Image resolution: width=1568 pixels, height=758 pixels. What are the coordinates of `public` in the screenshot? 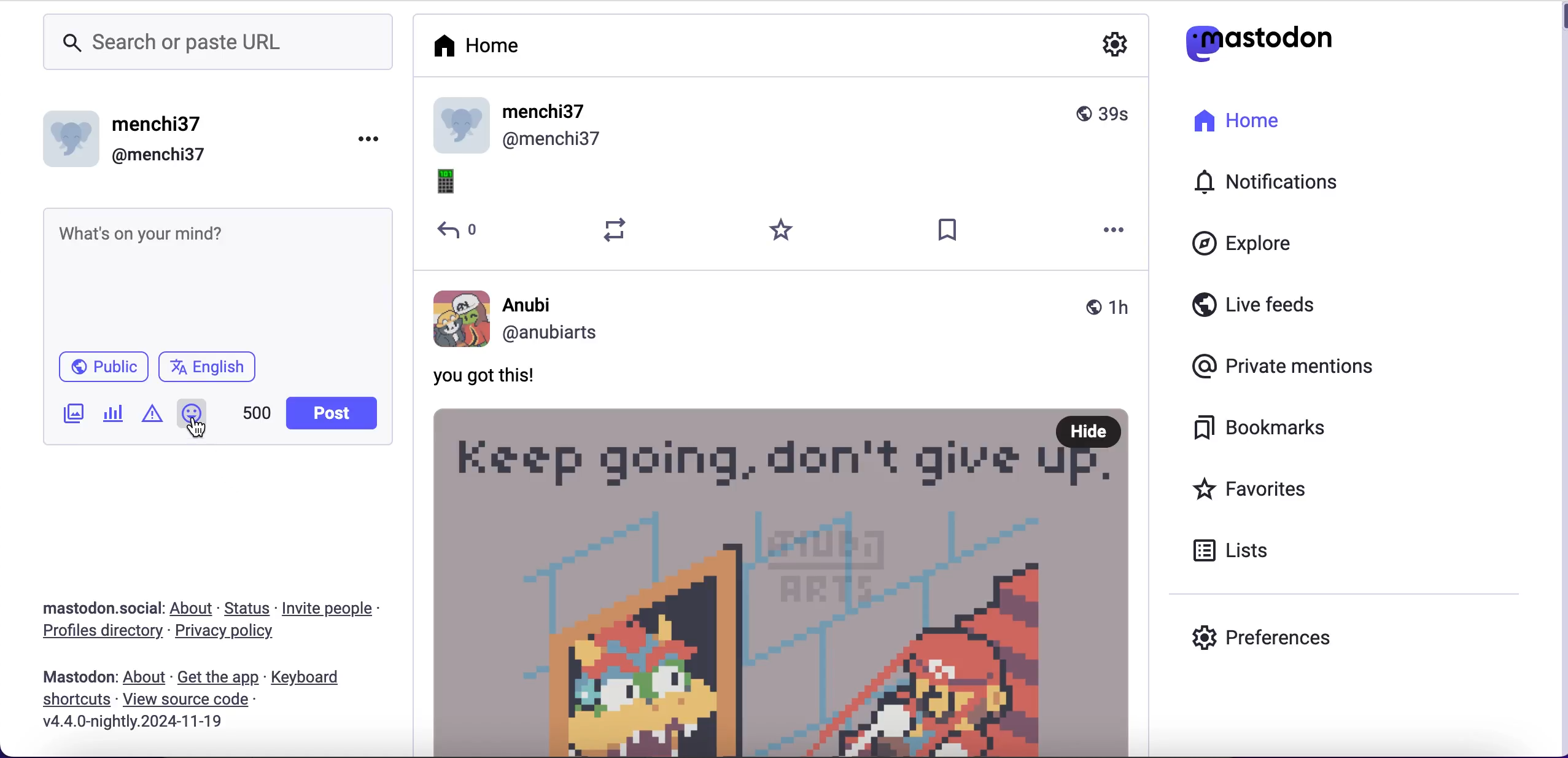 It's located at (93, 372).